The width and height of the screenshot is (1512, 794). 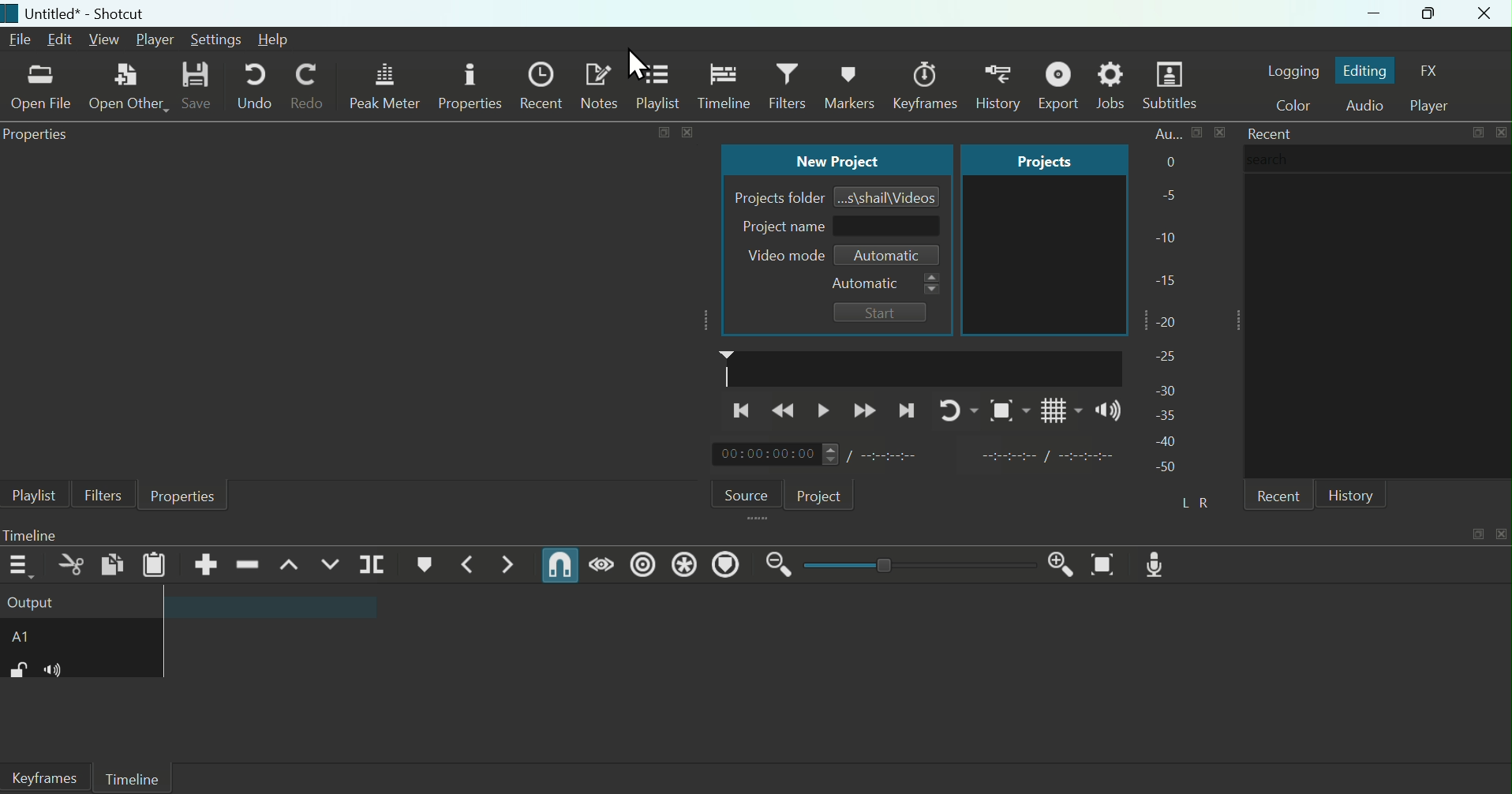 What do you see at coordinates (687, 132) in the screenshot?
I see `close` at bounding box center [687, 132].